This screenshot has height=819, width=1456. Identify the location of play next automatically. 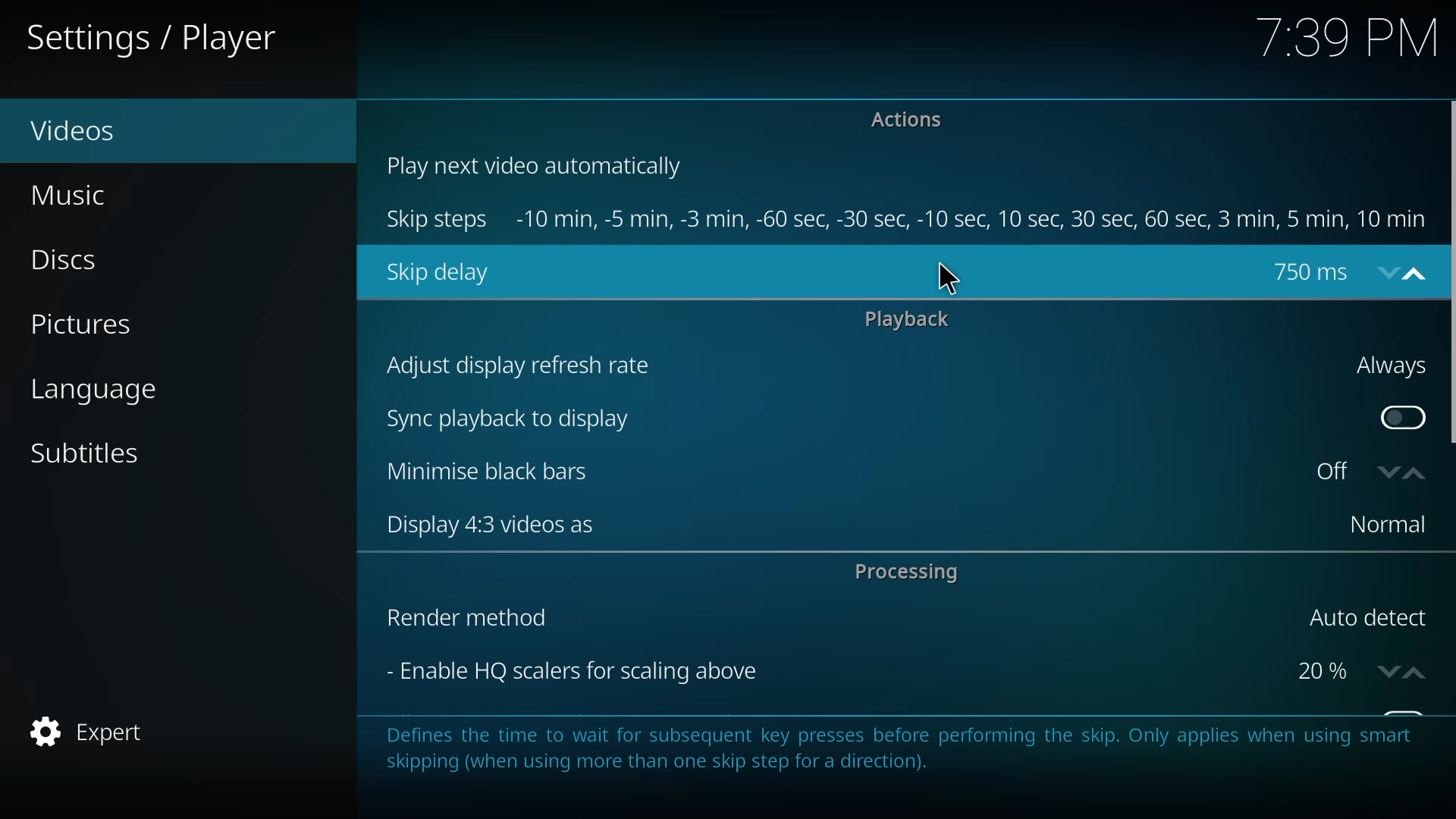
(537, 166).